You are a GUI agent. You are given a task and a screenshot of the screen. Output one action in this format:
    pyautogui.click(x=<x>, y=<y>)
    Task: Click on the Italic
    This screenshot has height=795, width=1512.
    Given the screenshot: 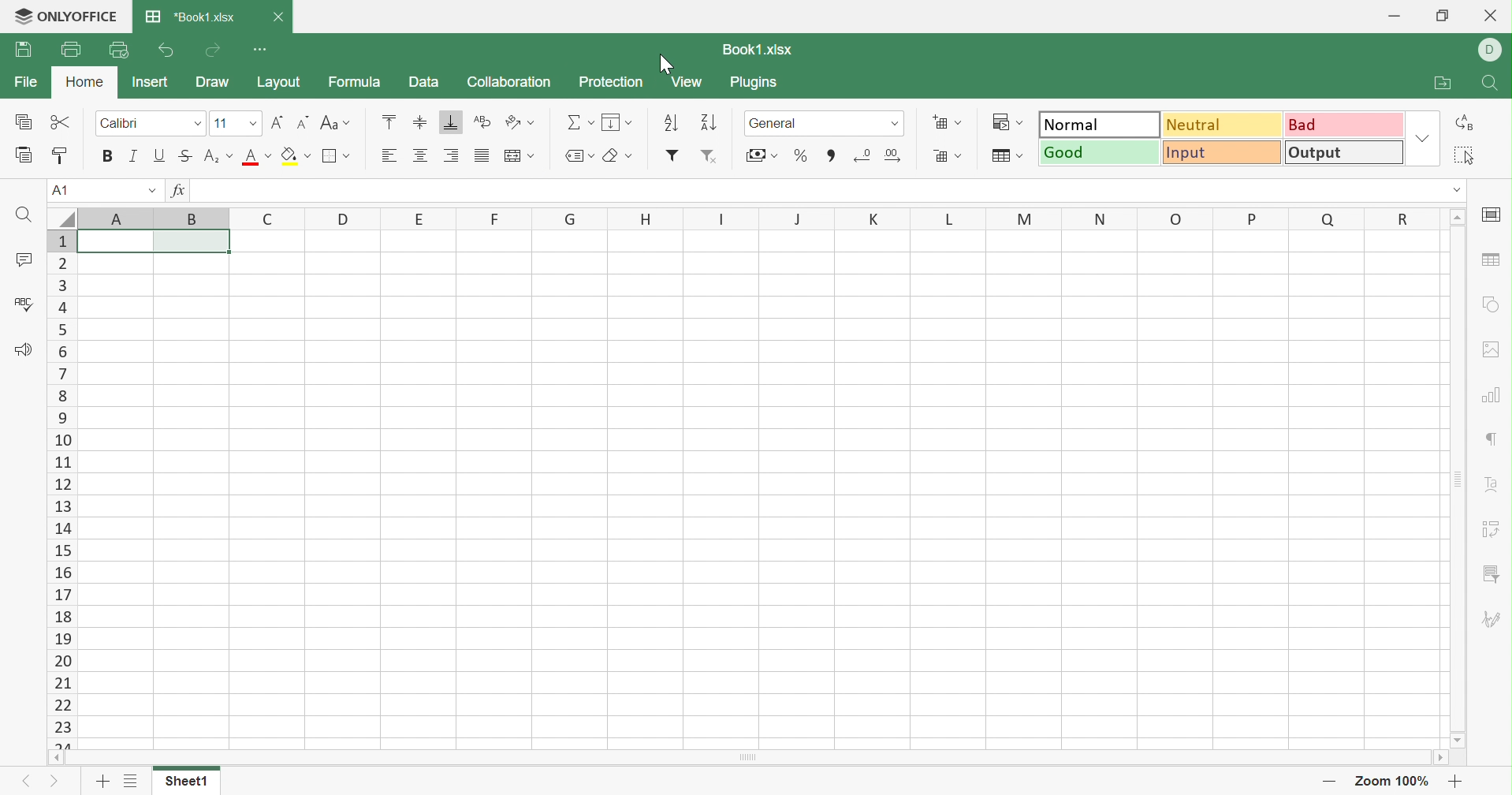 What is the action you would take?
    pyautogui.click(x=132, y=156)
    